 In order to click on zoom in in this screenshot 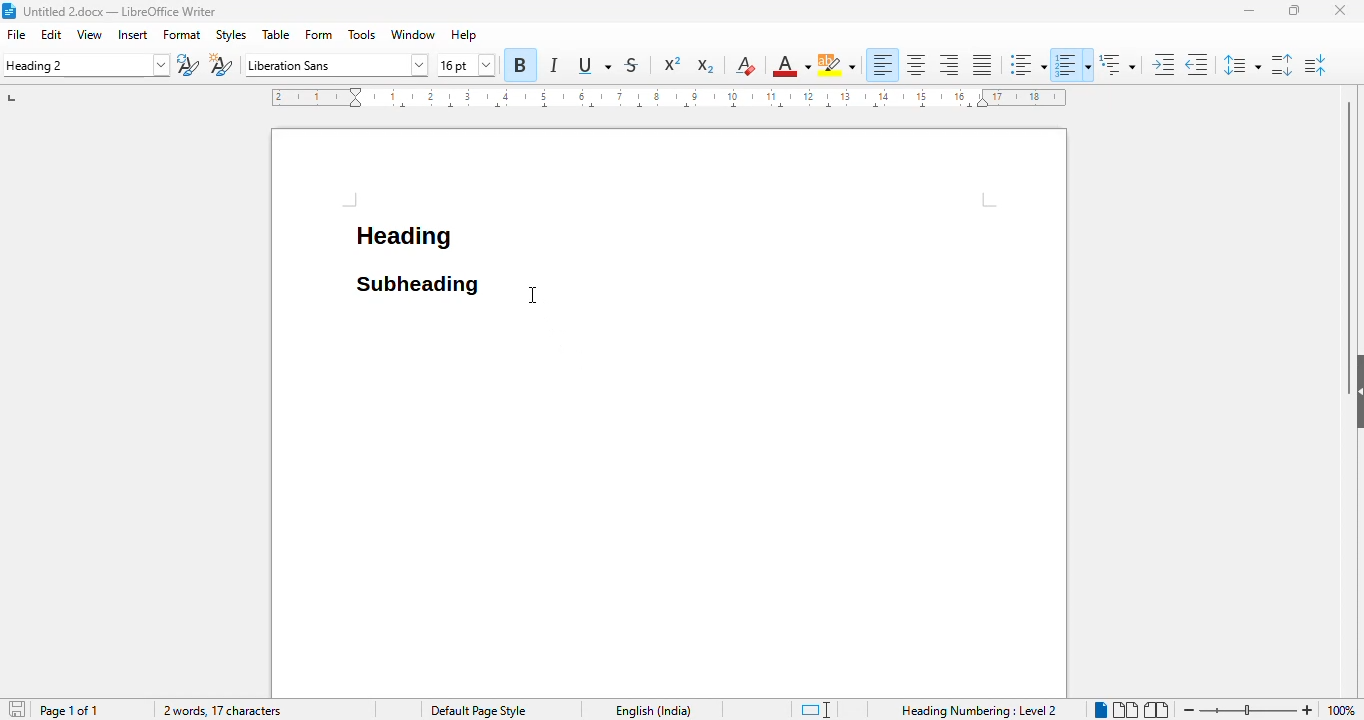, I will do `click(1307, 711)`.